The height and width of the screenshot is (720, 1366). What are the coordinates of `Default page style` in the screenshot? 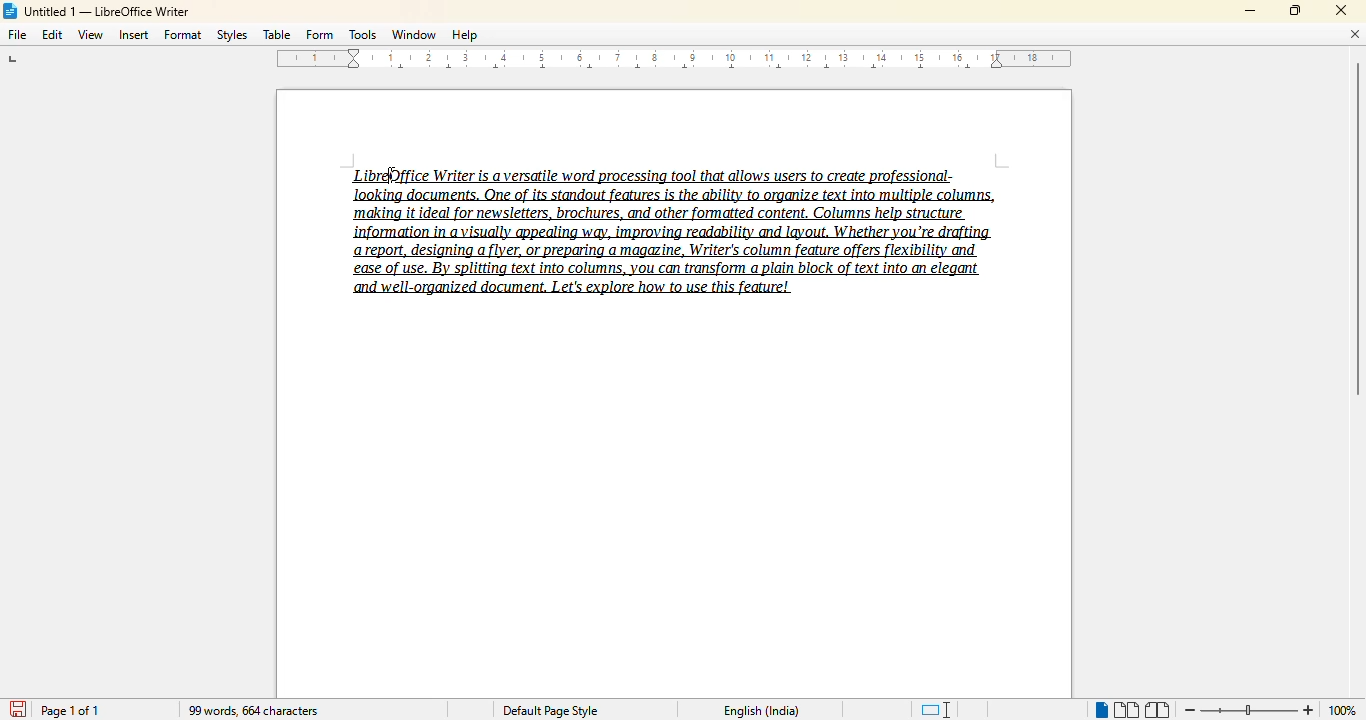 It's located at (550, 710).